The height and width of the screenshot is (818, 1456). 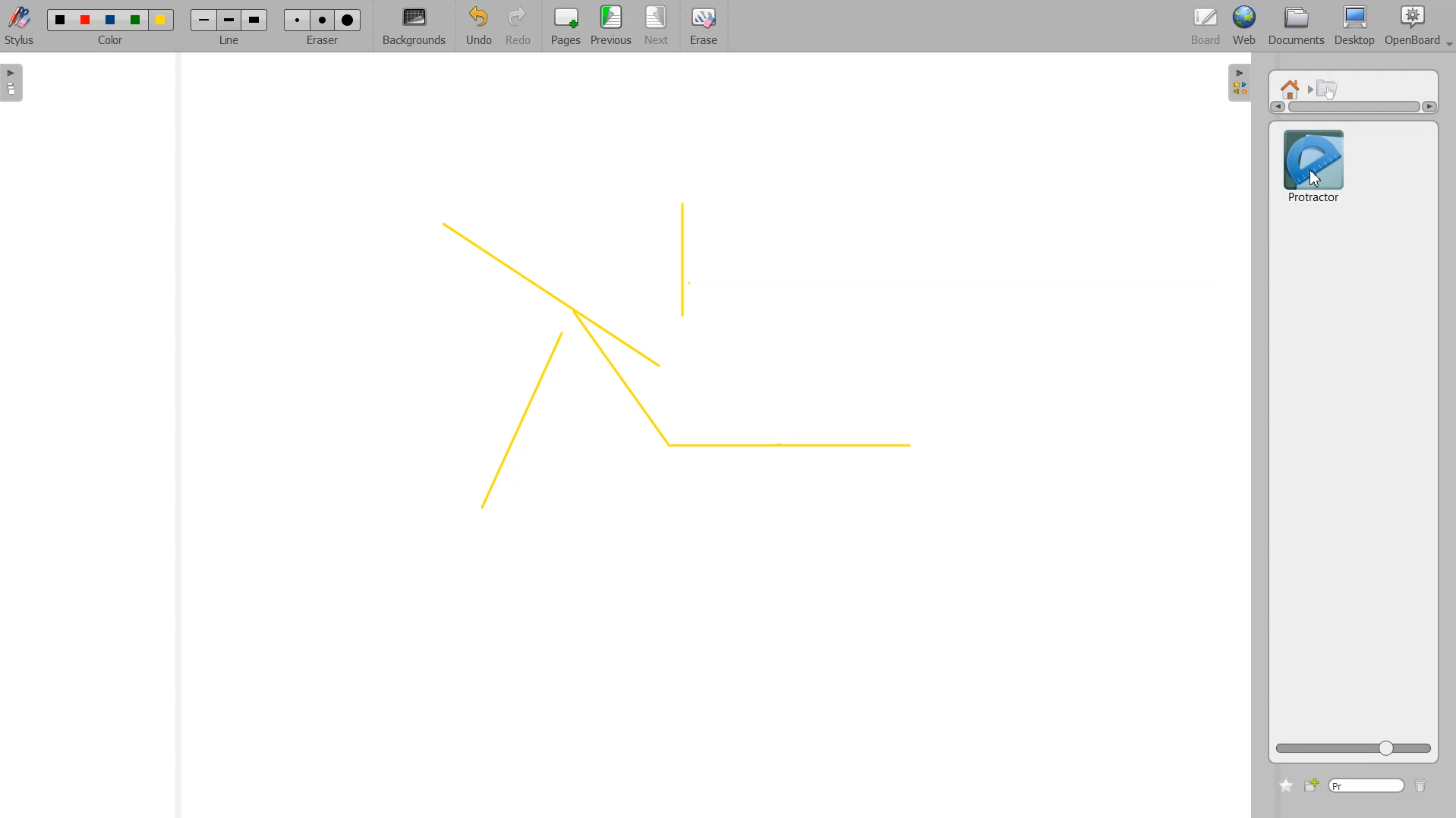 I want to click on Web, so click(x=1245, y=27).